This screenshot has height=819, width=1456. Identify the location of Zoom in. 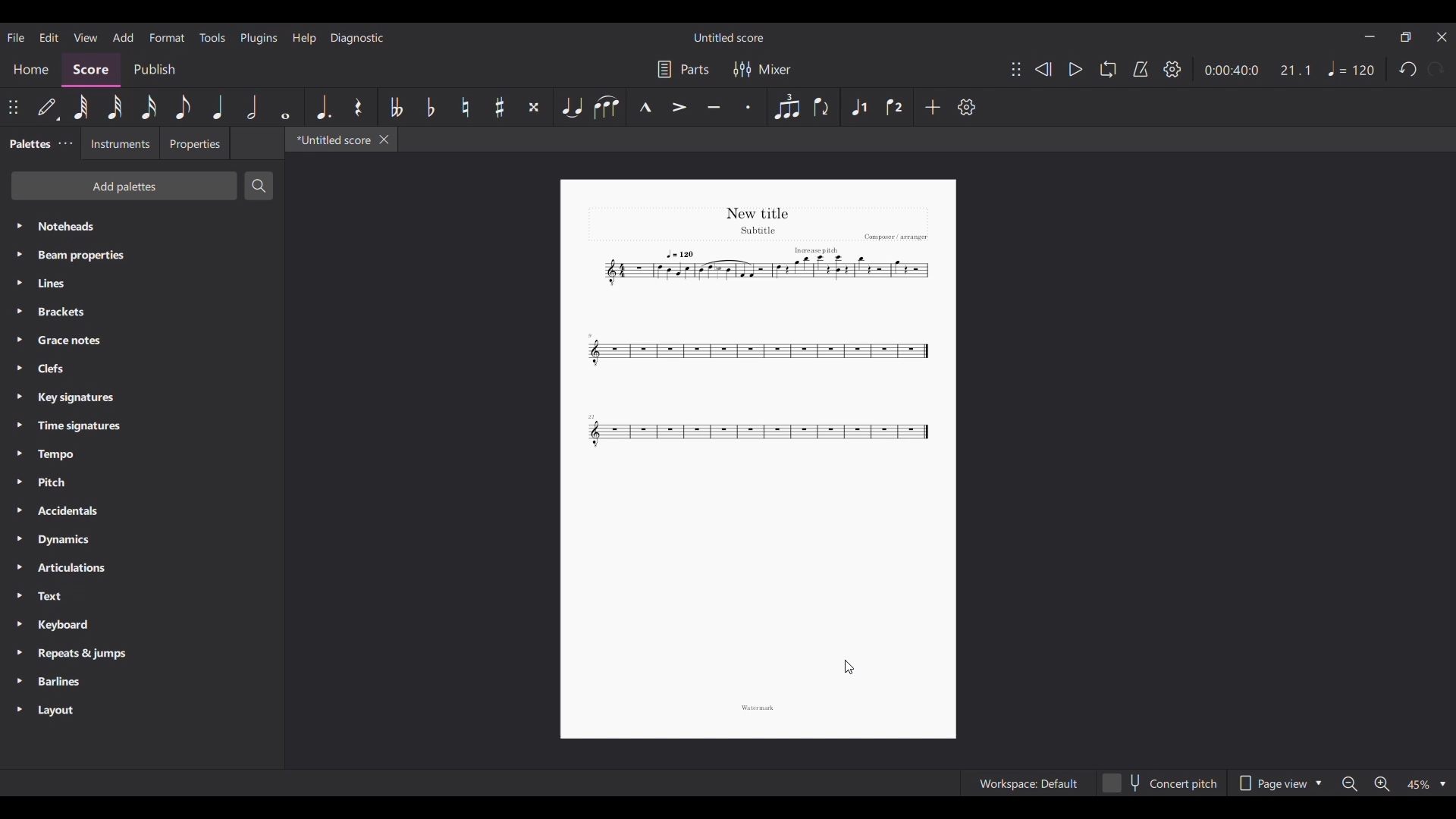
(1382, 784).